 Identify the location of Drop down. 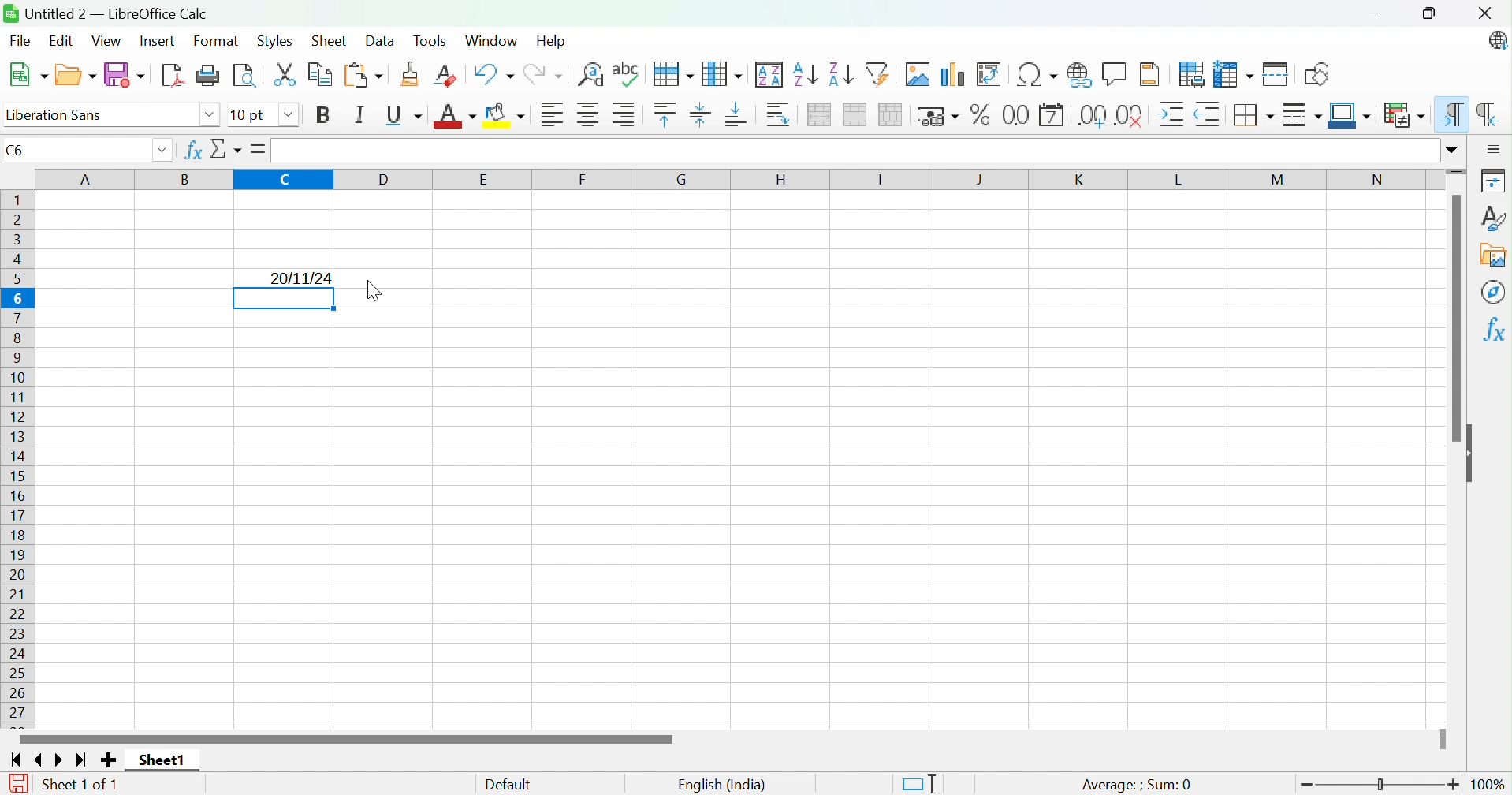
(289, 115).